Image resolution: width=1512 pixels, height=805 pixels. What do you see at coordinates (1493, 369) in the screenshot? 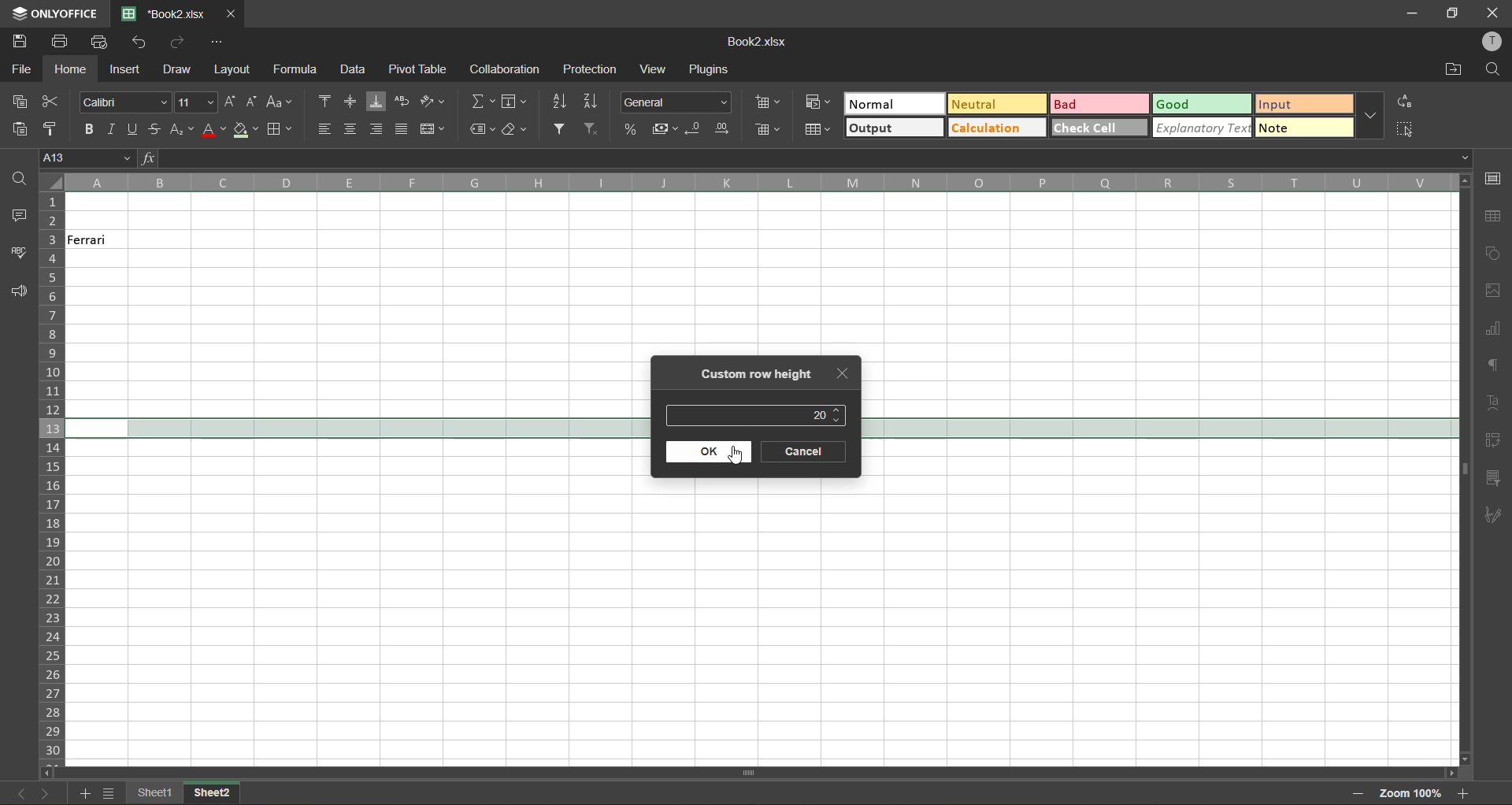
I see `paragraph` at bounding box center [1493, 369].